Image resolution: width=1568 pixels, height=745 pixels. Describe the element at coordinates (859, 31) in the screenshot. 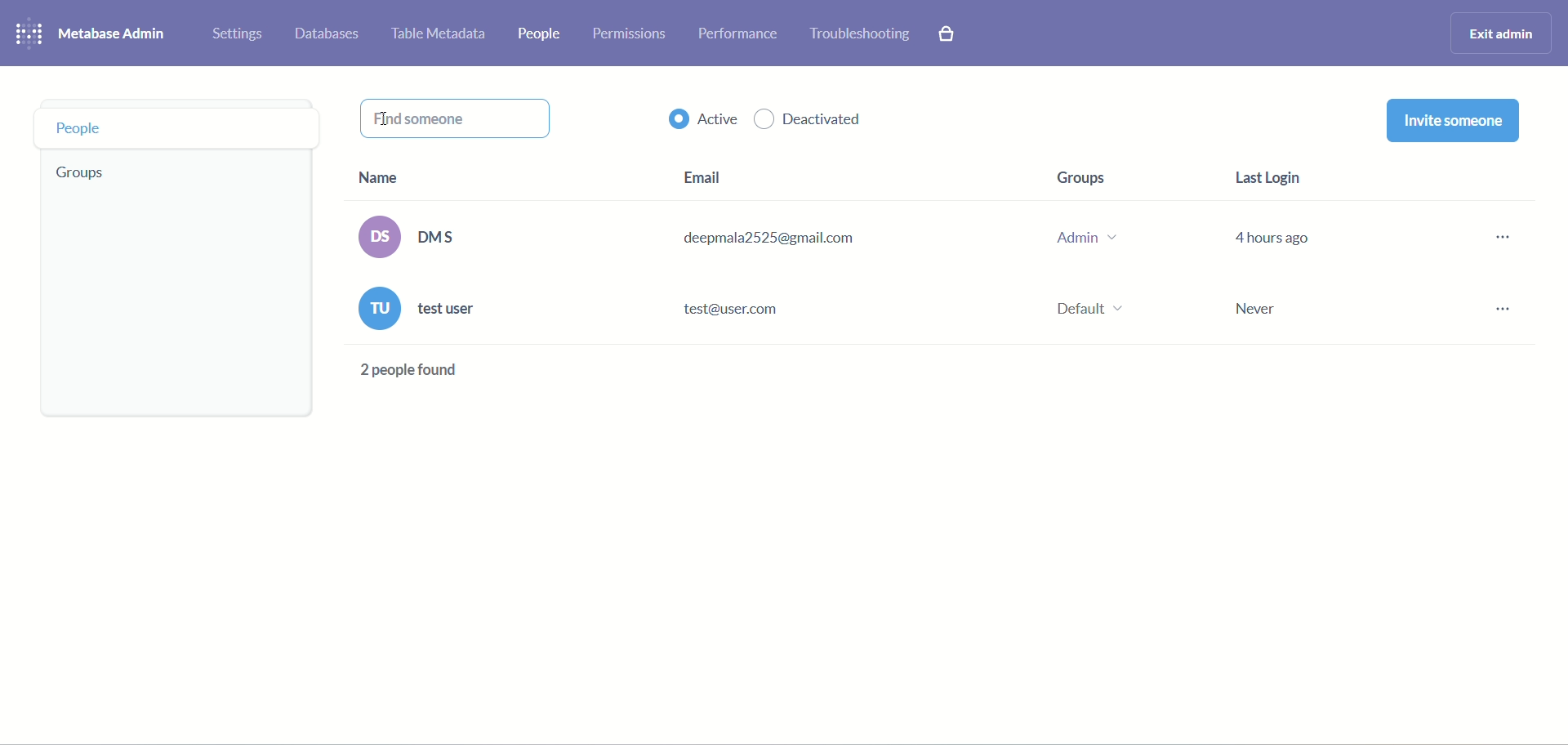

I see `troubleshooting` at that location.